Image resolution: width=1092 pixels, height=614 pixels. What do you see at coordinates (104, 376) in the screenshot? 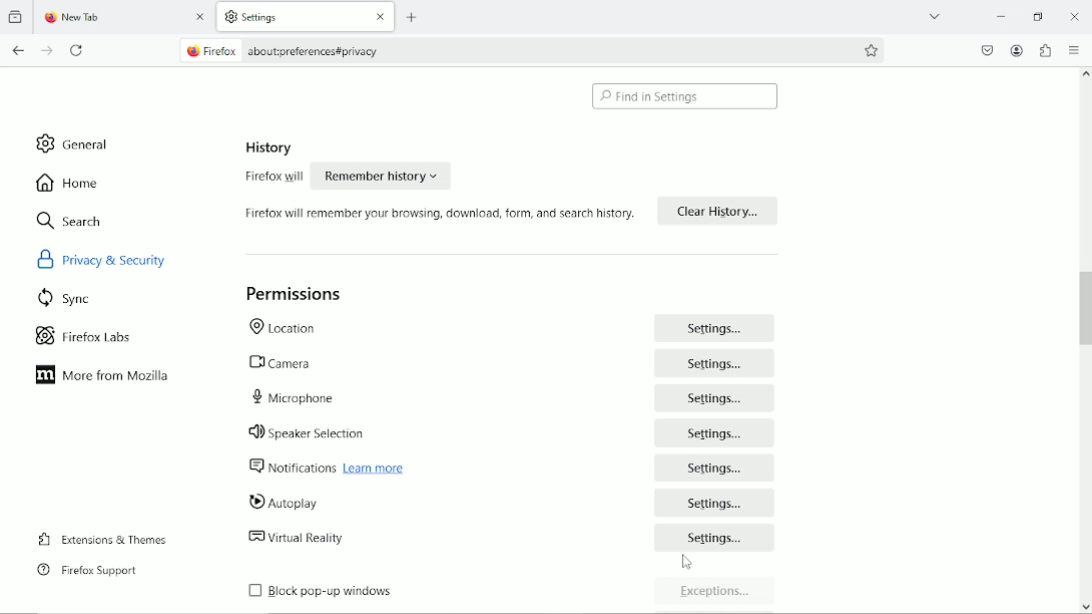
I see `more from mozilla` at bounding box center [104, 376].